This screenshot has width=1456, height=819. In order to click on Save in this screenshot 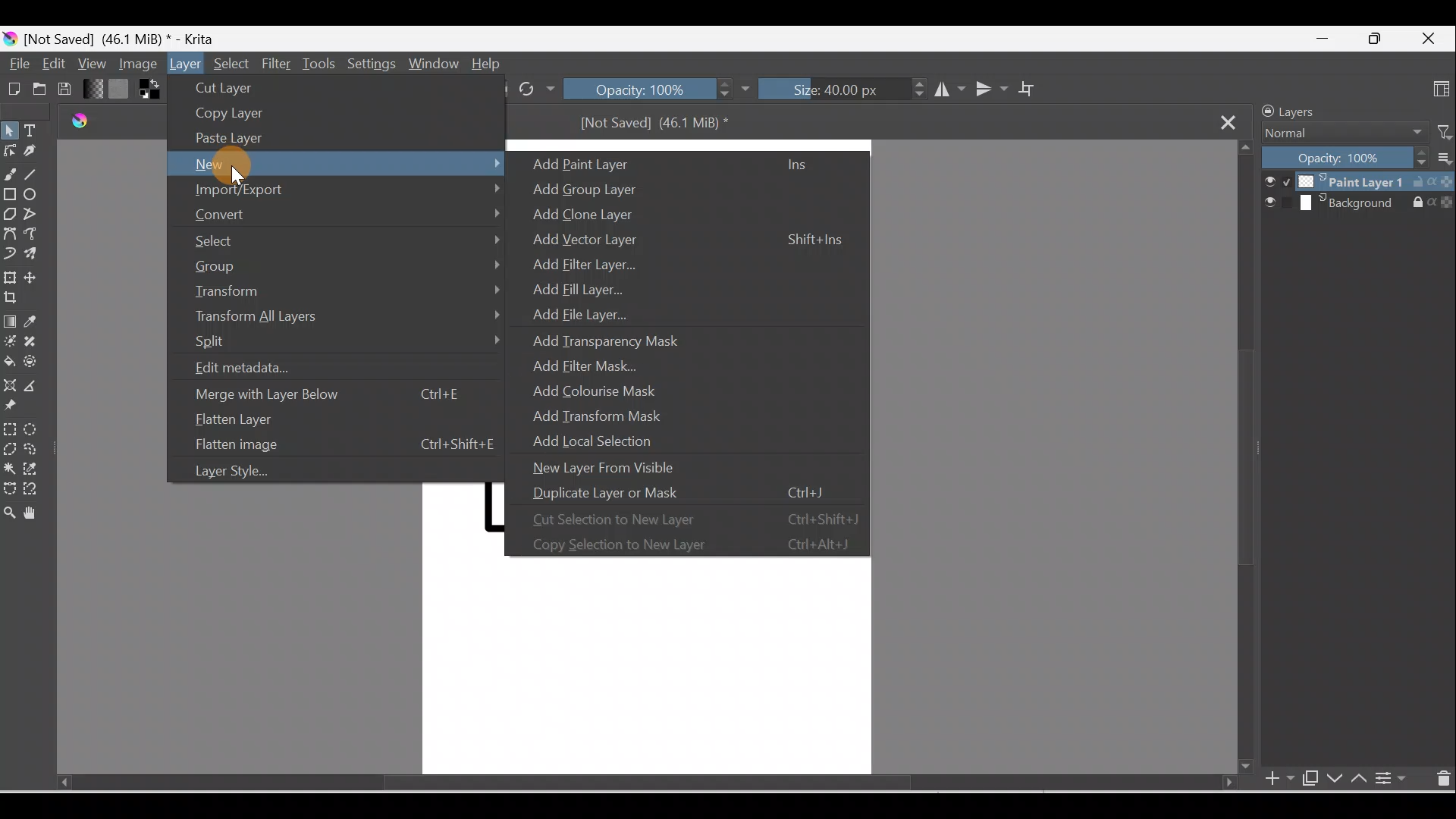, I will do `click(69, 89)`.